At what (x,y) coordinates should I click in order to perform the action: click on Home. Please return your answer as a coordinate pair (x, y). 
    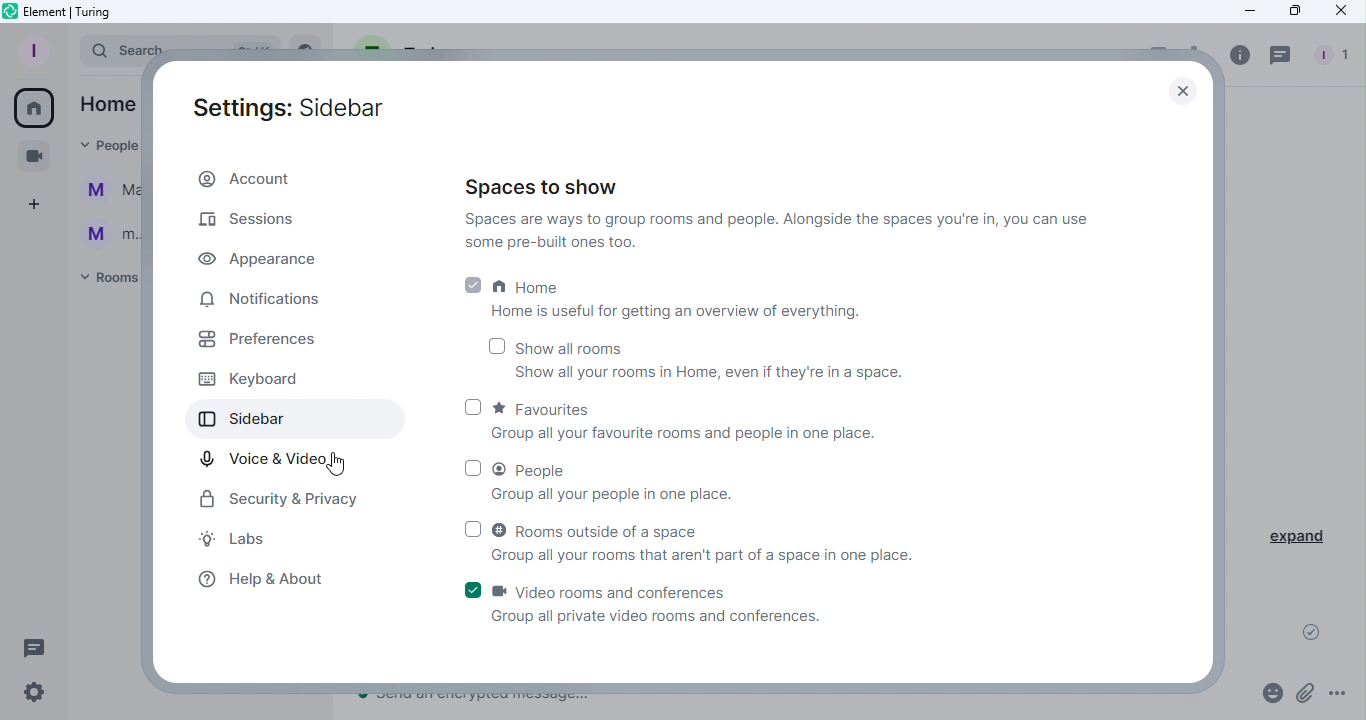
    Looking at the image, I should click on (110, 104).